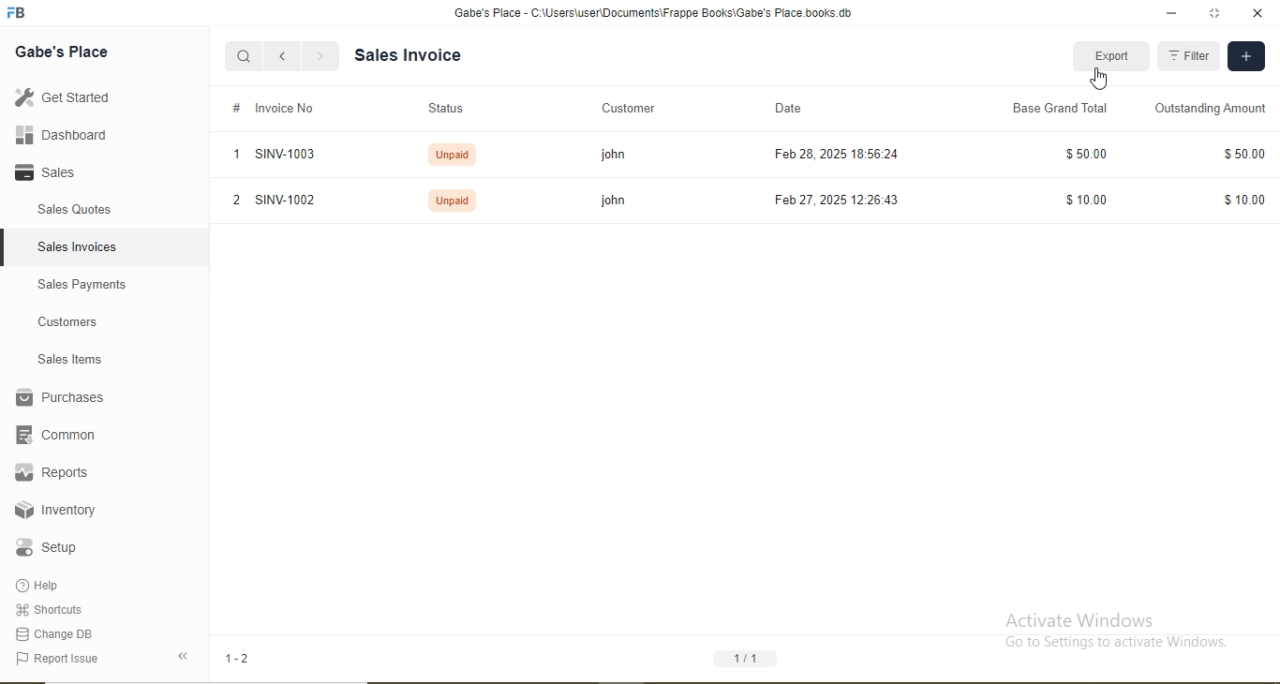  I want to click on Sales Invoice, so click(416, 55).